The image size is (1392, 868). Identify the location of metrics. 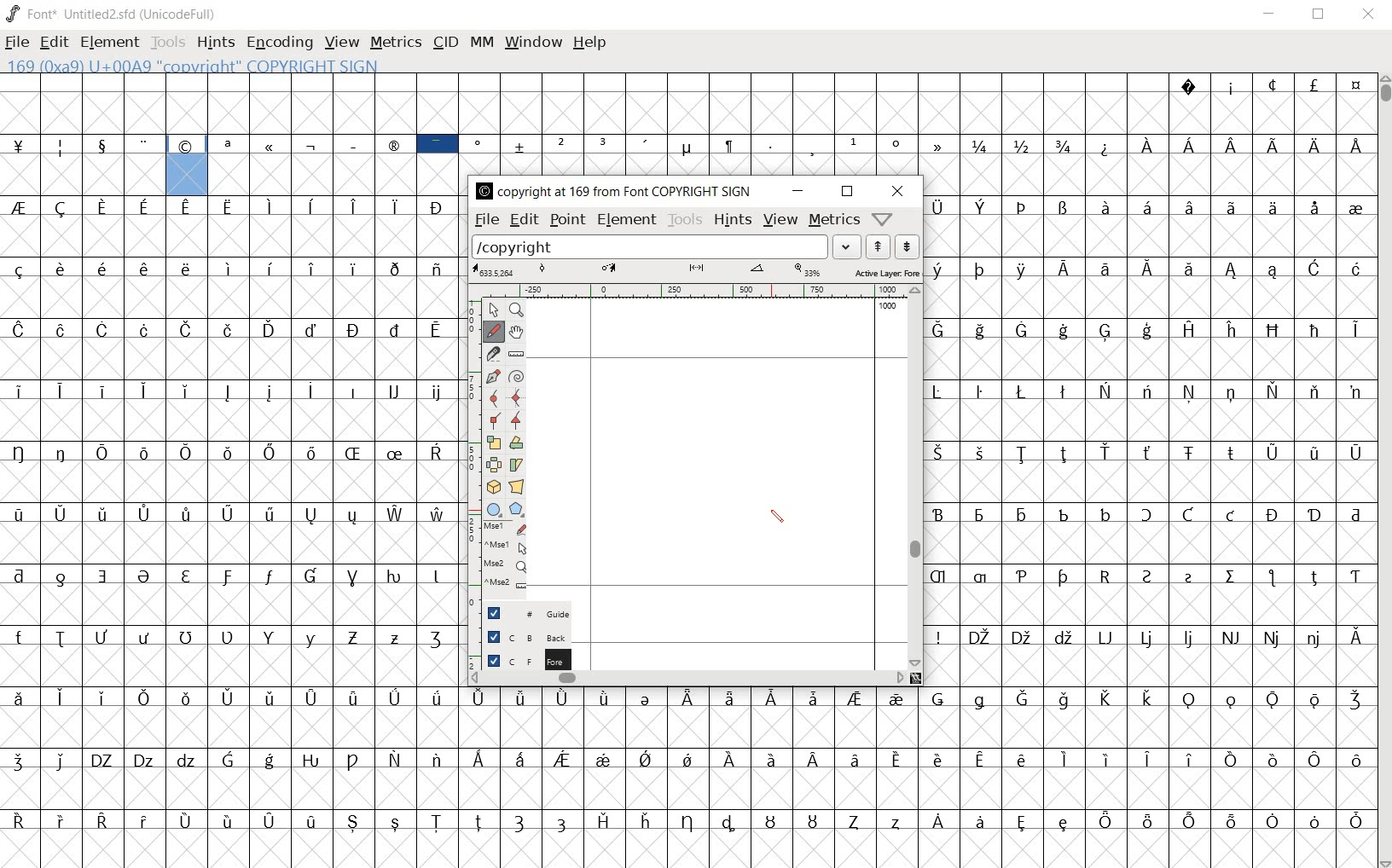
(395, 42).